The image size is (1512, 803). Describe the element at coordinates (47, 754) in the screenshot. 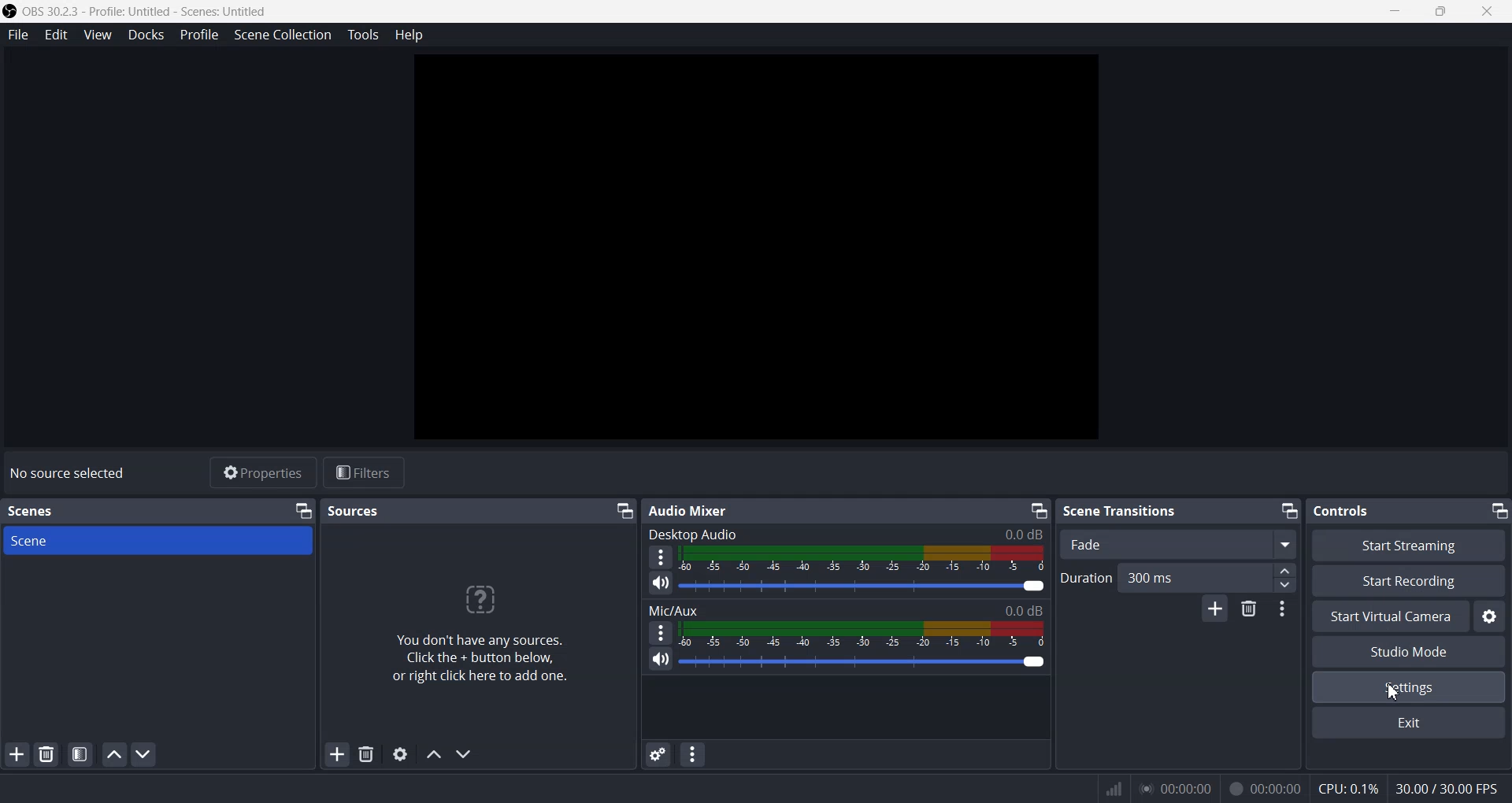

I see `Remove selected Scene` at that location.